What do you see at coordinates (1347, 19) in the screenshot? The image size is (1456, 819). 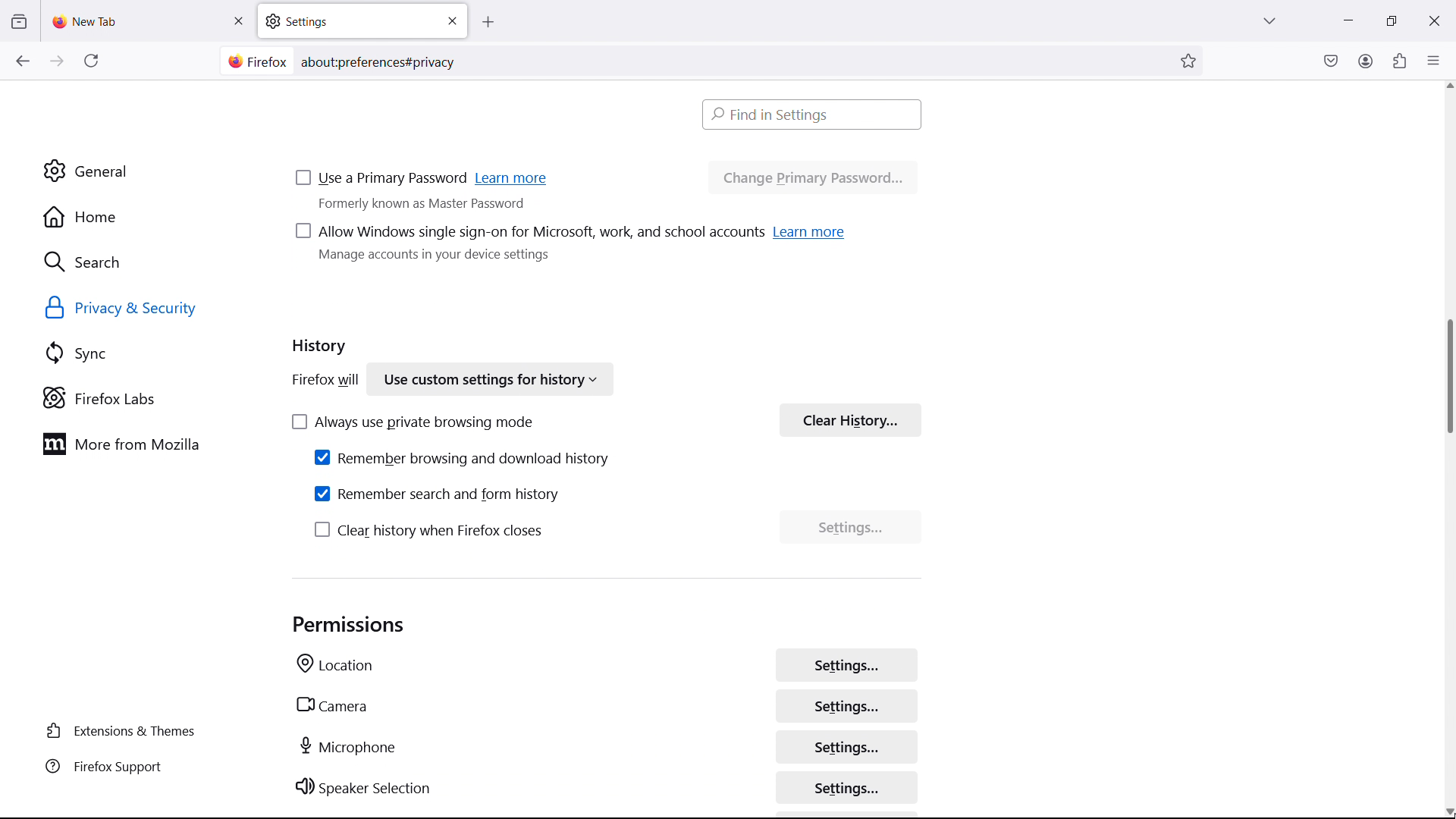 I see `minimize` at bounding box center [1347, 19].